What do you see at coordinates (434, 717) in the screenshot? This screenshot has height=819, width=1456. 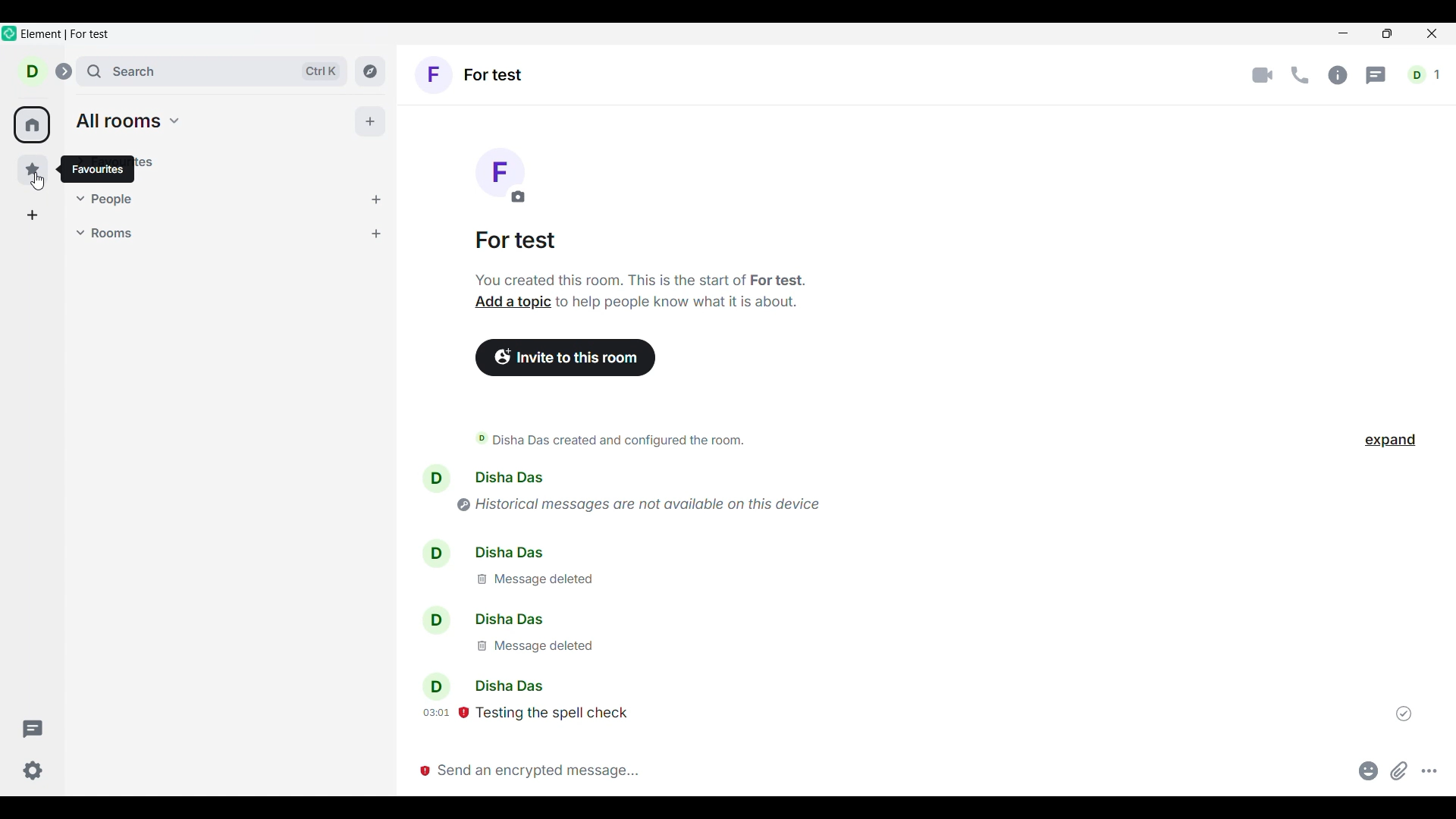 I see `message send timing` at bounding box center [434, 717].